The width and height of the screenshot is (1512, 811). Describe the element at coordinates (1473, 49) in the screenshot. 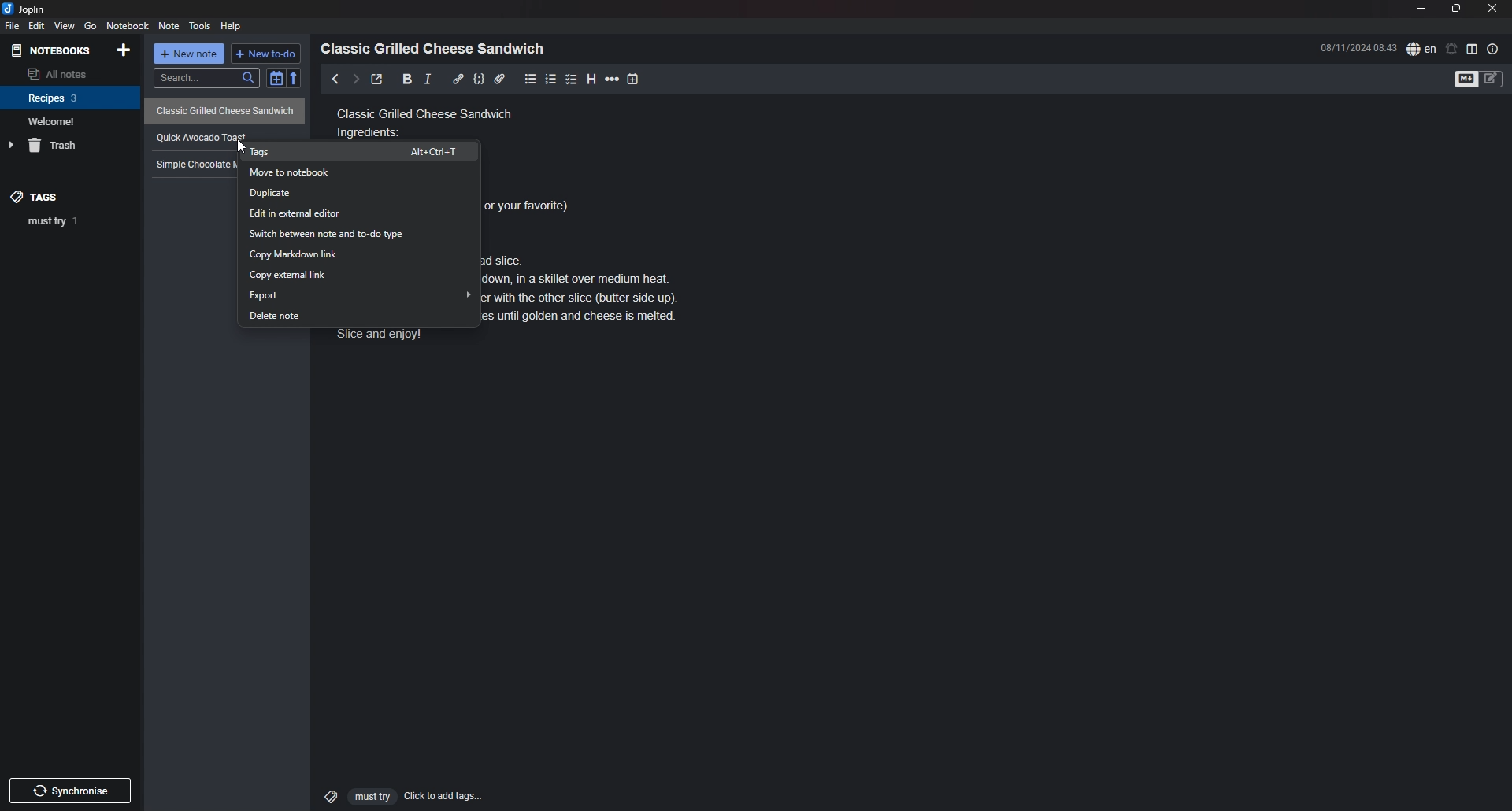

I see `toggle editor layout` at that location.